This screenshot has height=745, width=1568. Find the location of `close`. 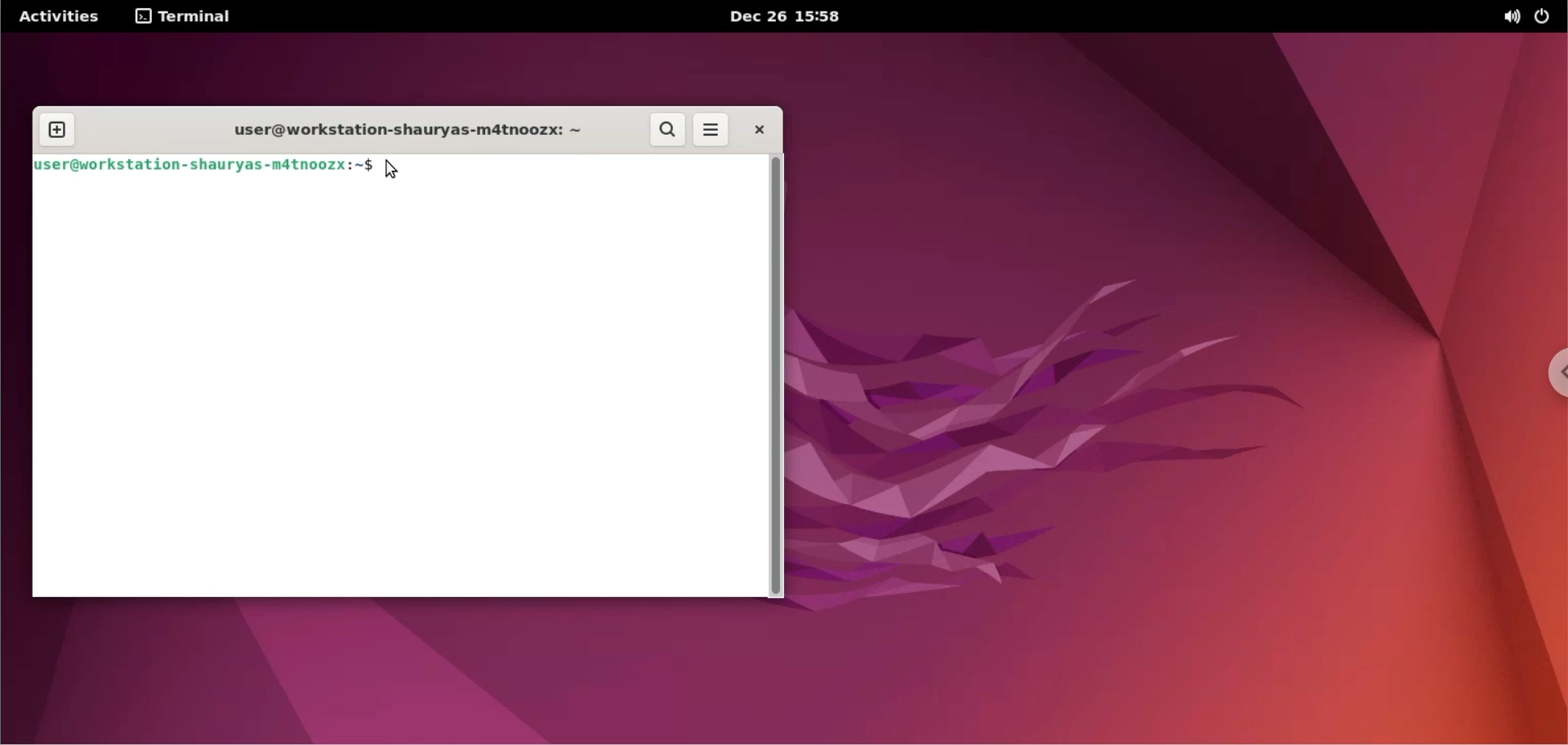

close is located at coordinates (755, 129).